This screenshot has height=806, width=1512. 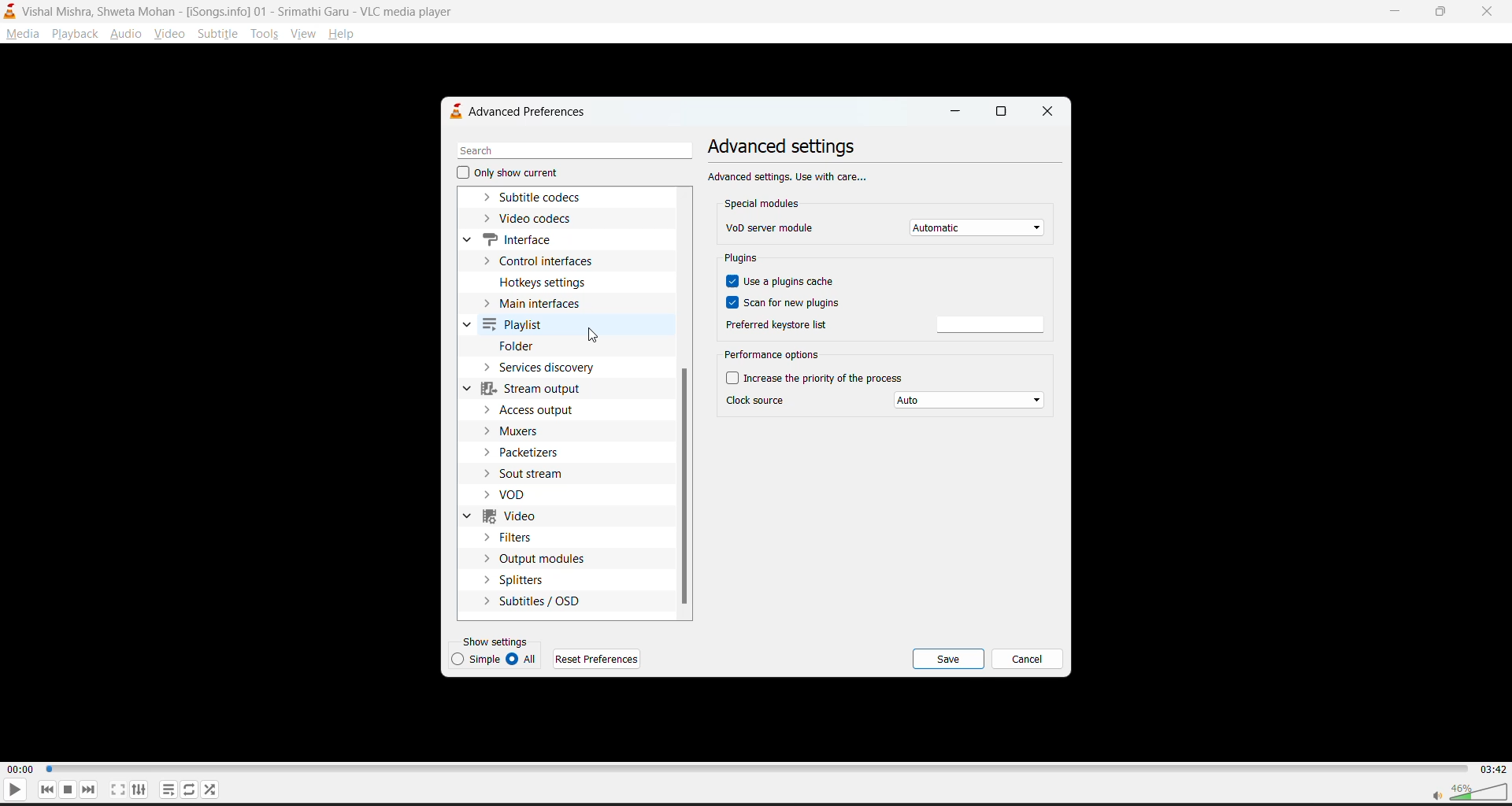 What do you see at coordinates (116, 789) in the screenshot?
I see `fullscreen` at bounding box center [116, 789].